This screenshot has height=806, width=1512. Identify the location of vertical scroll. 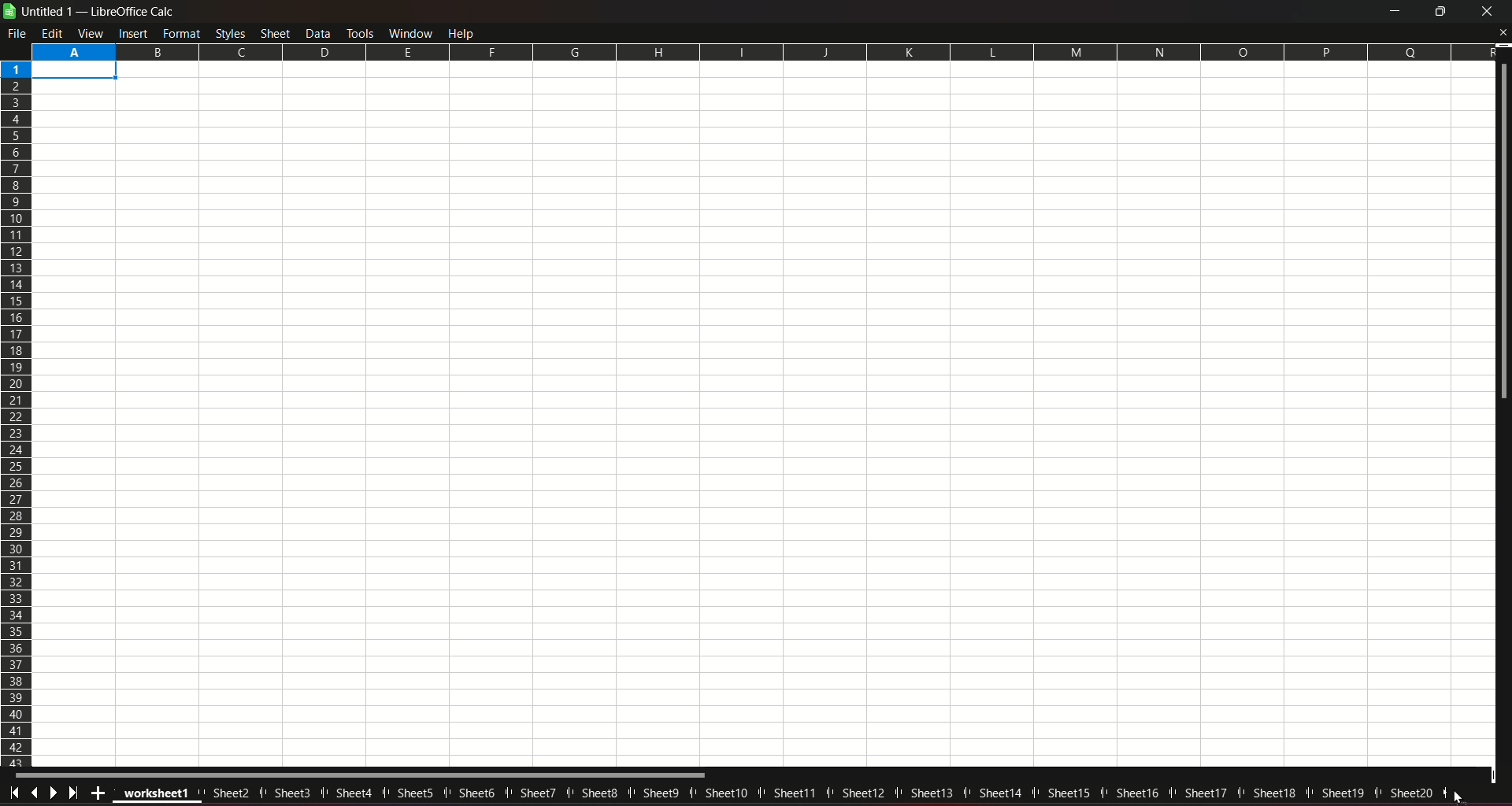
(1503, 235).